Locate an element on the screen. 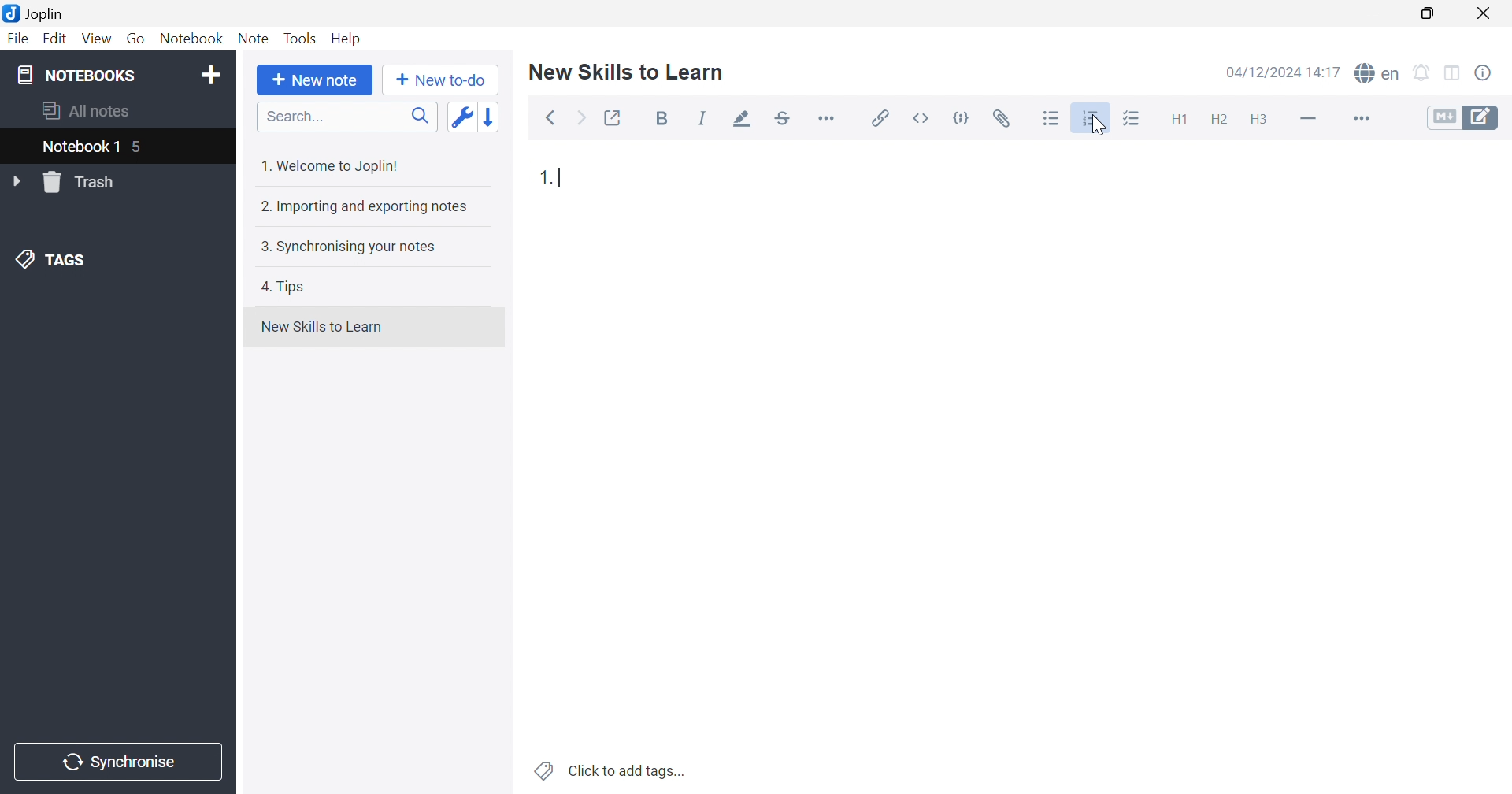  Checkbox list is located at coordinates (1130, 120).